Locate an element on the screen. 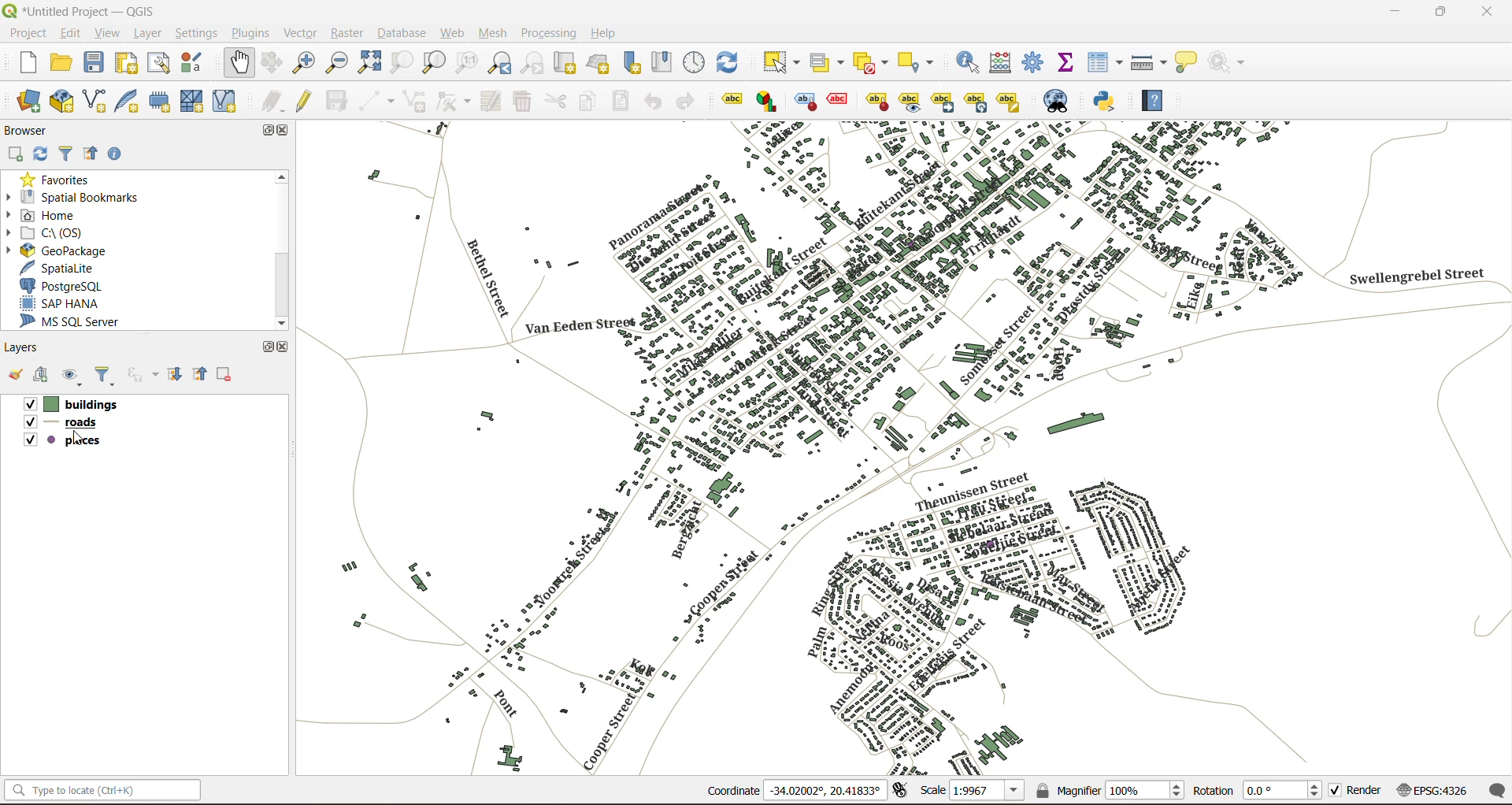 The height and width of the screenshot is (805, 1512). refresh is located at coordinates (733, 63).